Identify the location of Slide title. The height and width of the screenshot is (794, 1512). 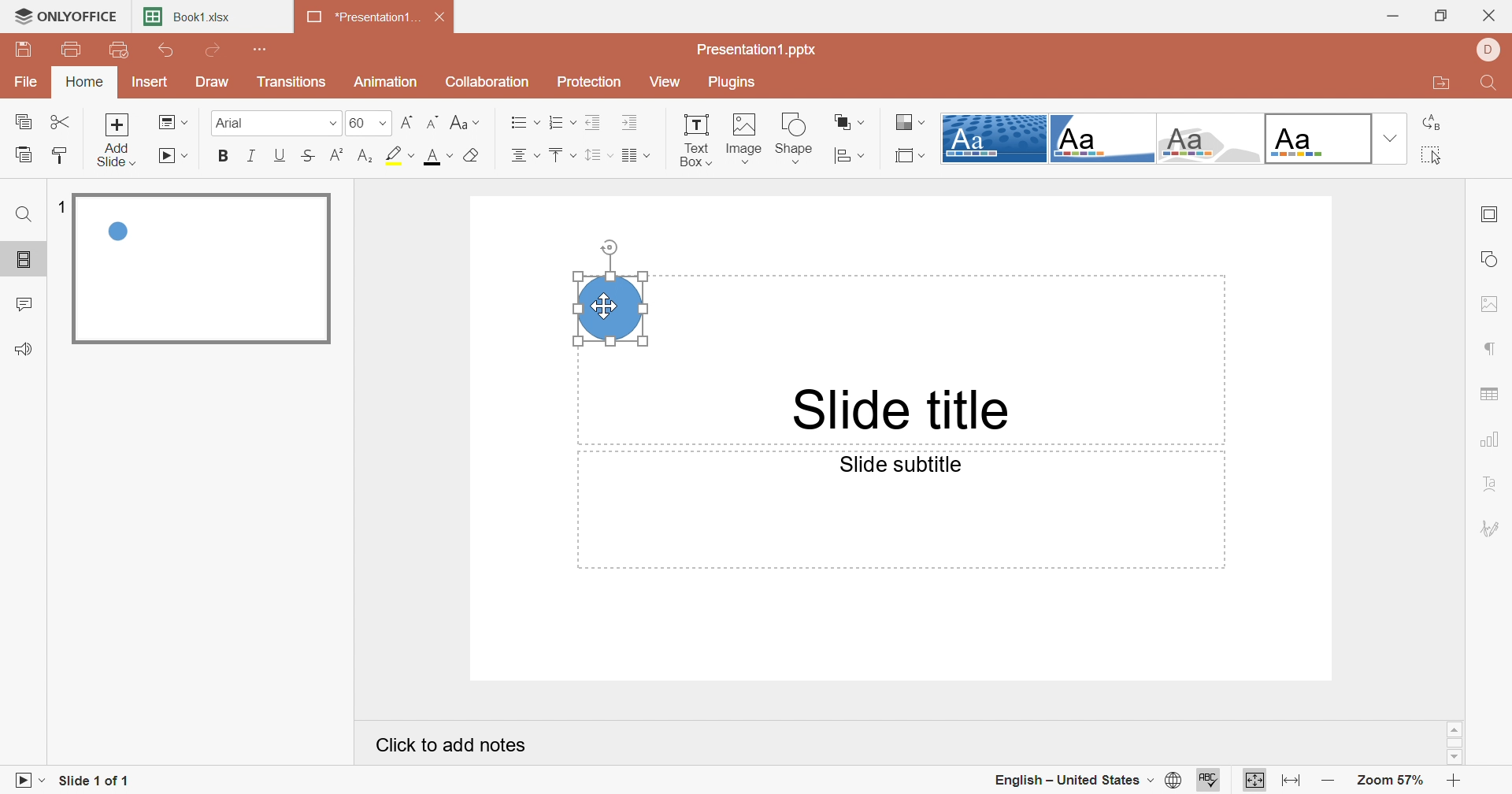
(903, 410).